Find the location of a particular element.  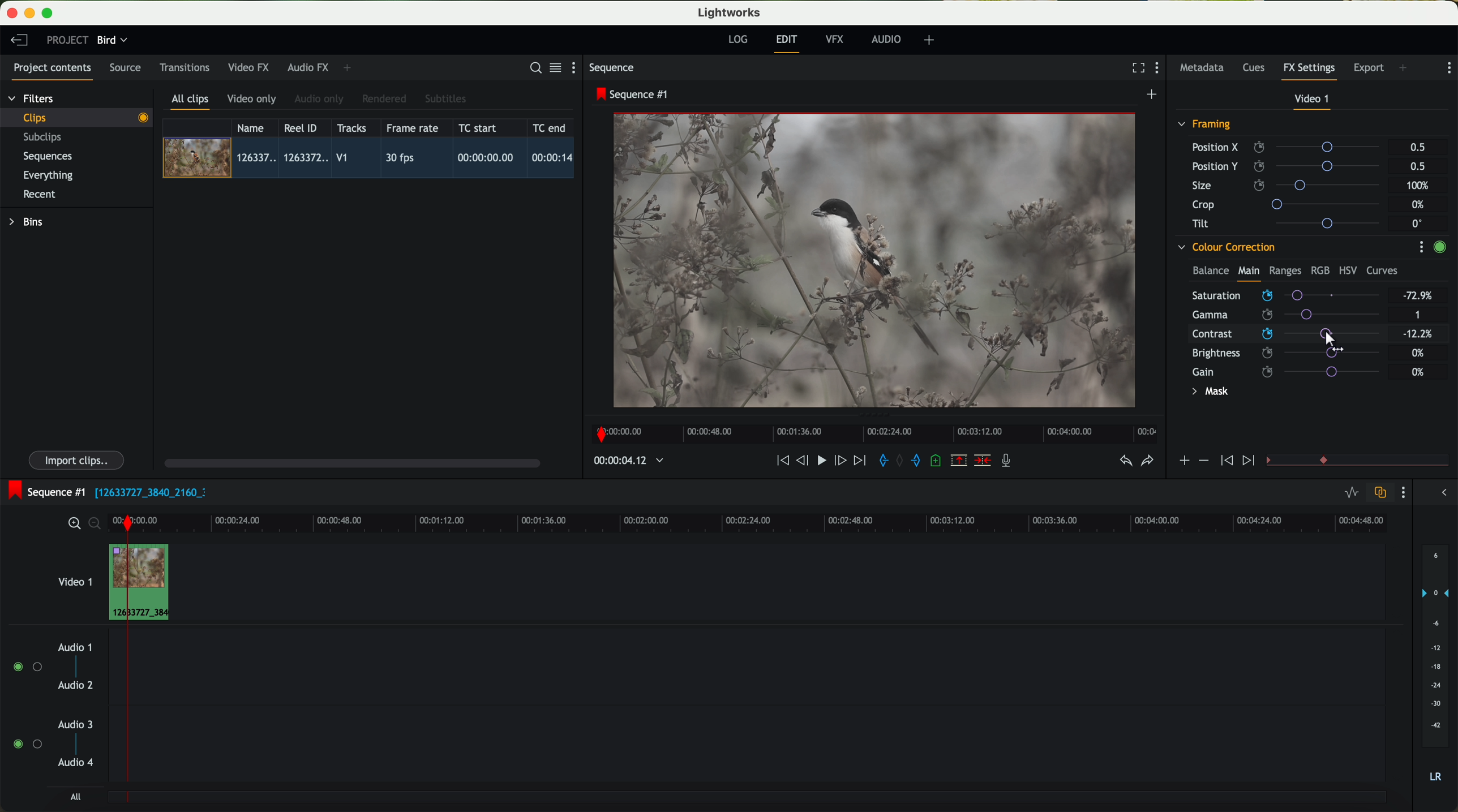

video 1 is located at coordinates (1313, 101).